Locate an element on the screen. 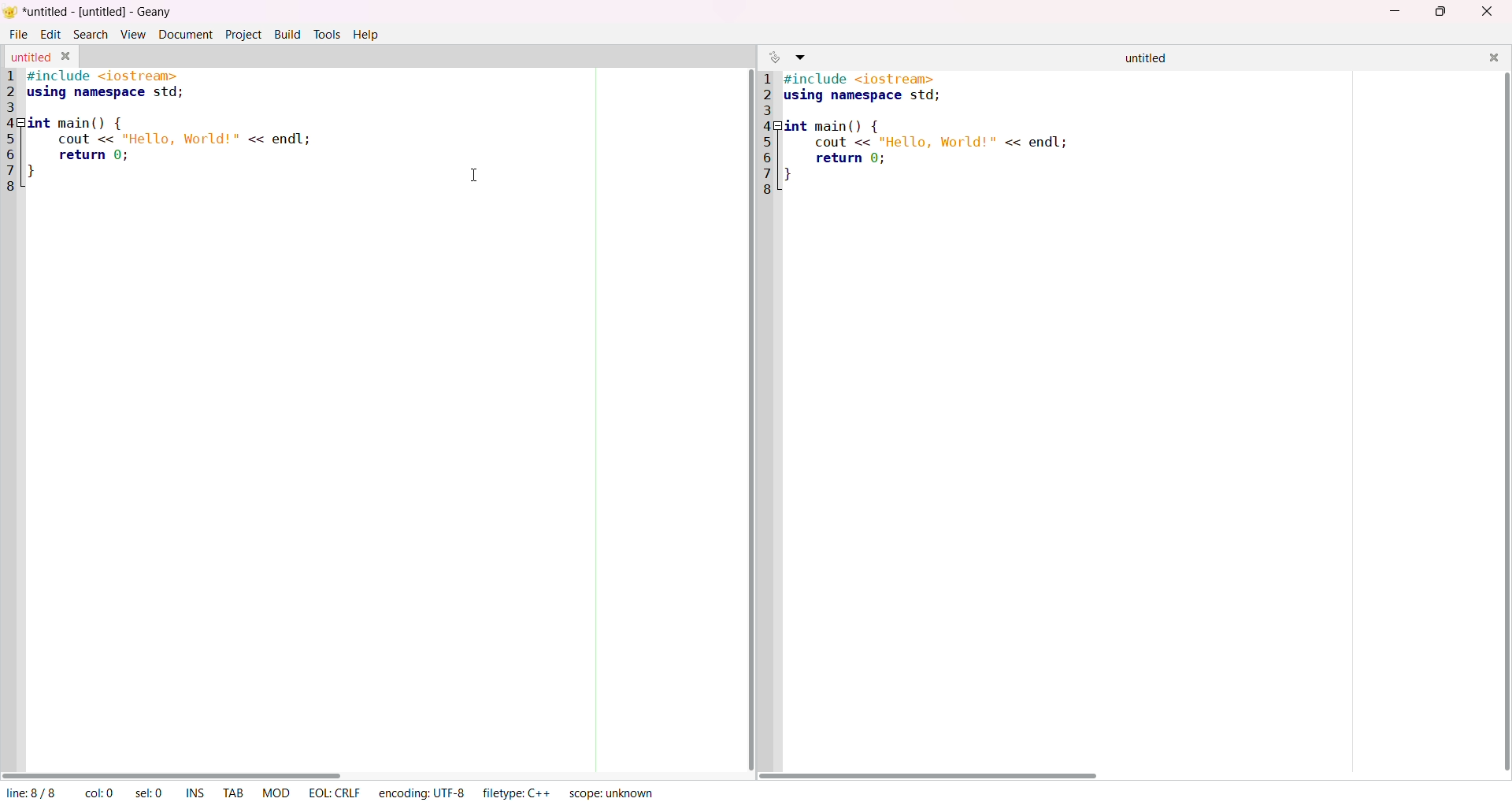 The height and width of the screenshot is (802, 1512). Help is located at coordinates (369, 35).